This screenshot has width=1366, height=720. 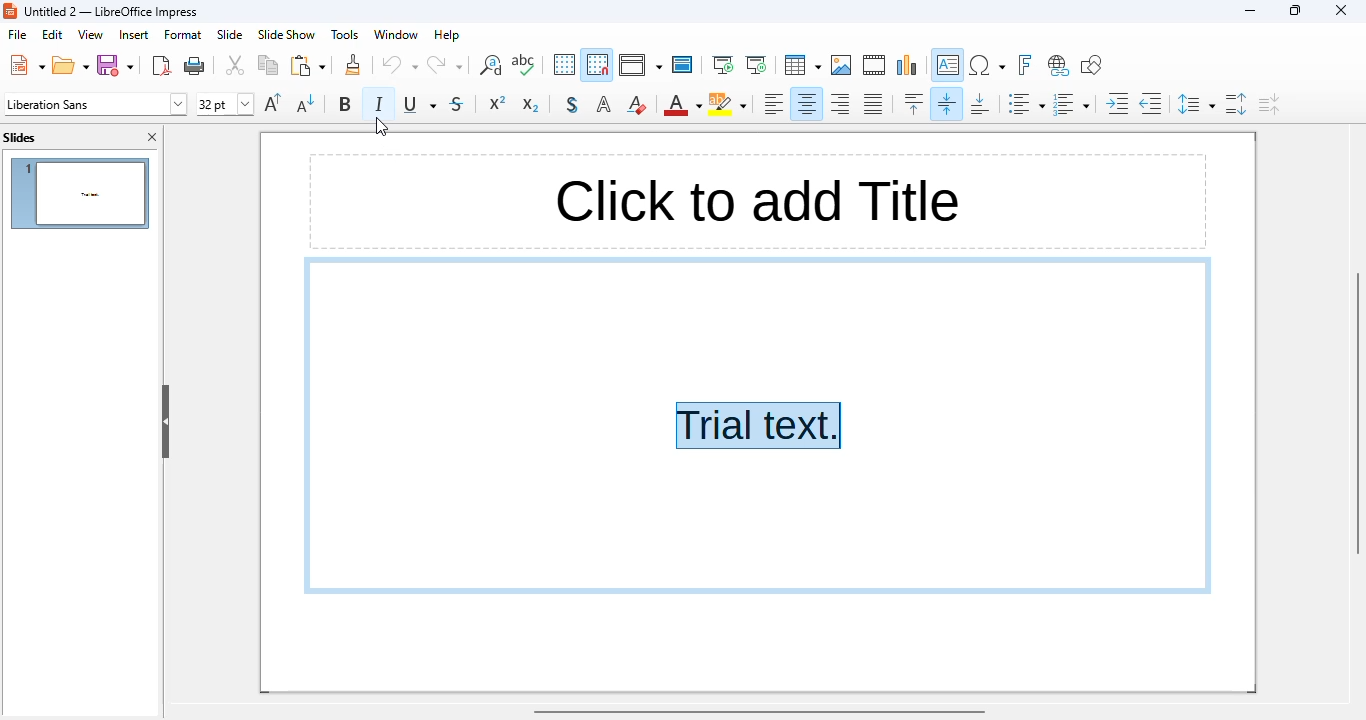 I want to click on view, so click(x=91, y=34).